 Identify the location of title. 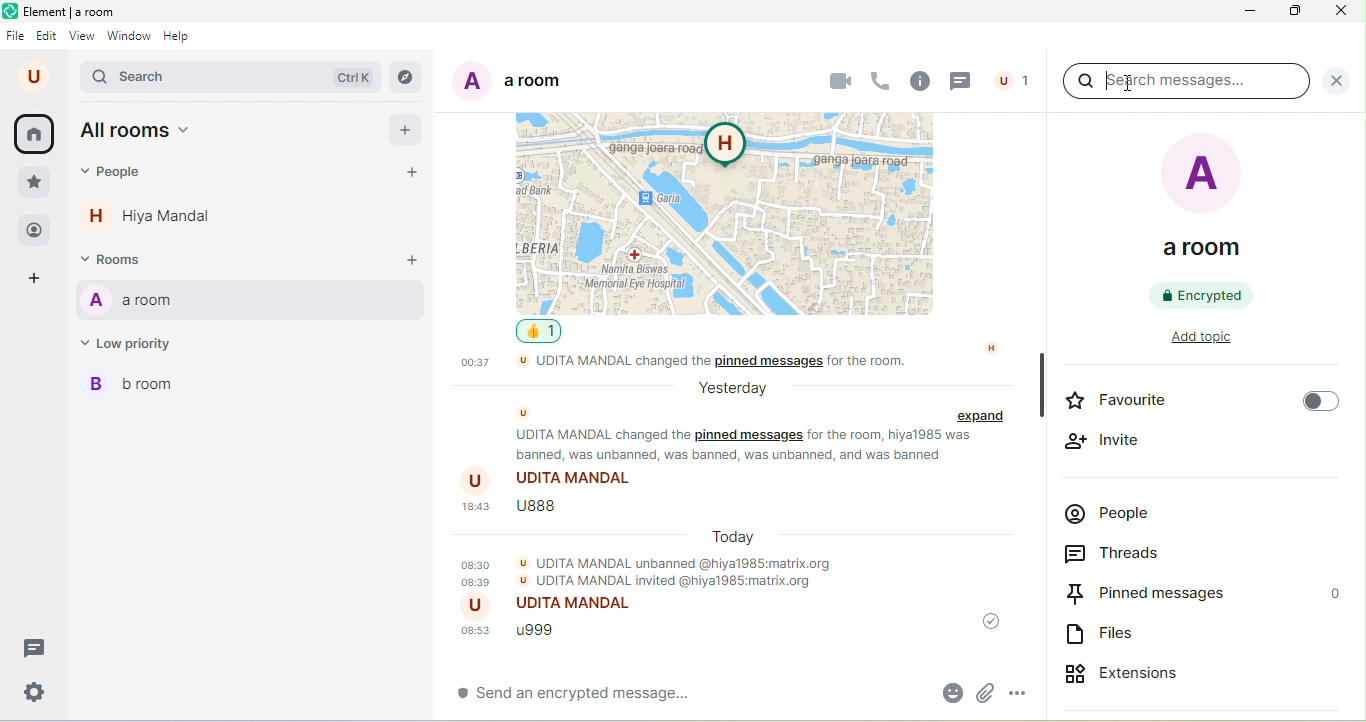
(66, 13).